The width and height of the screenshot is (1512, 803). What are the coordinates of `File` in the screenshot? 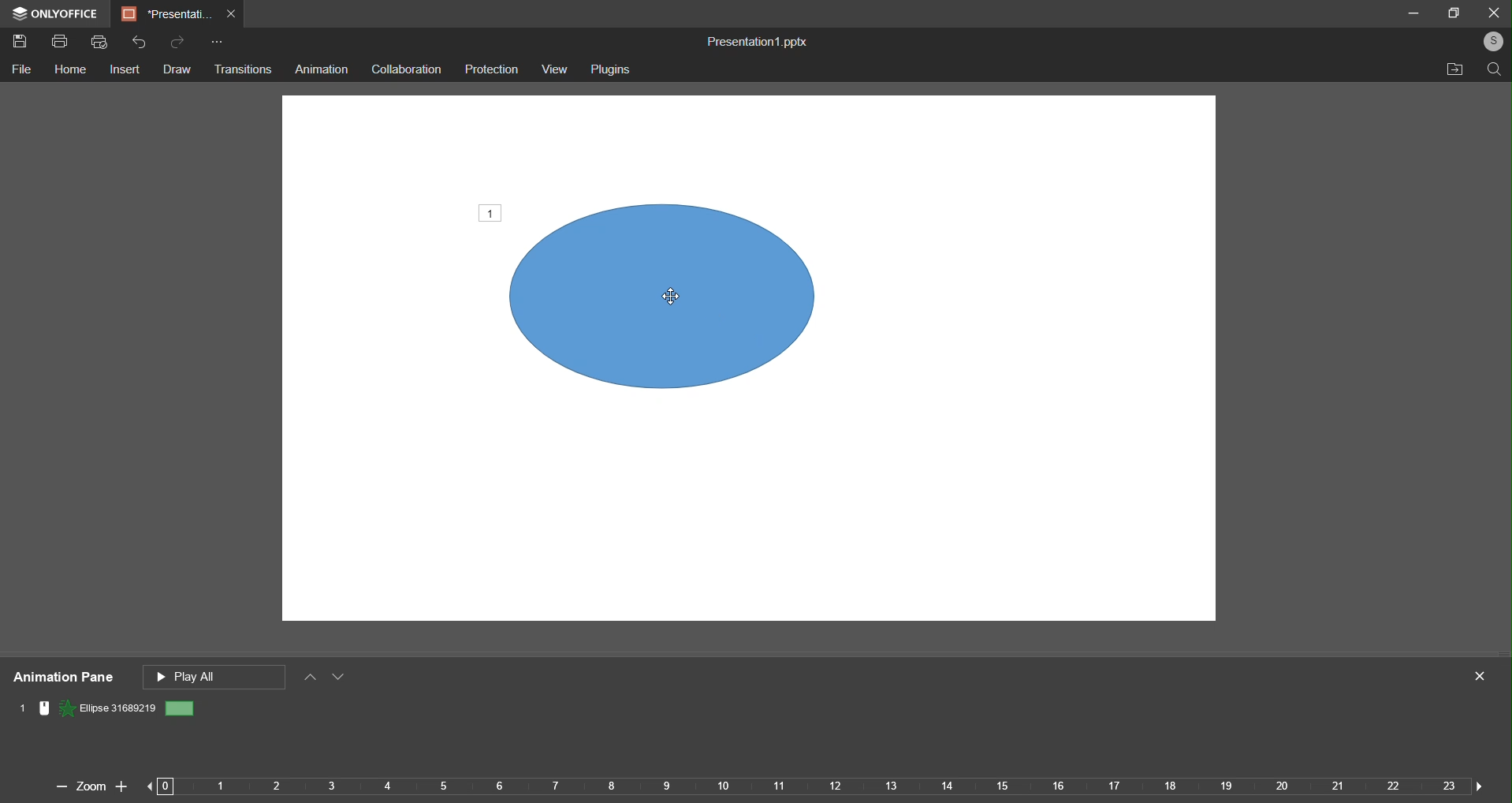 It's located at (24, 70).